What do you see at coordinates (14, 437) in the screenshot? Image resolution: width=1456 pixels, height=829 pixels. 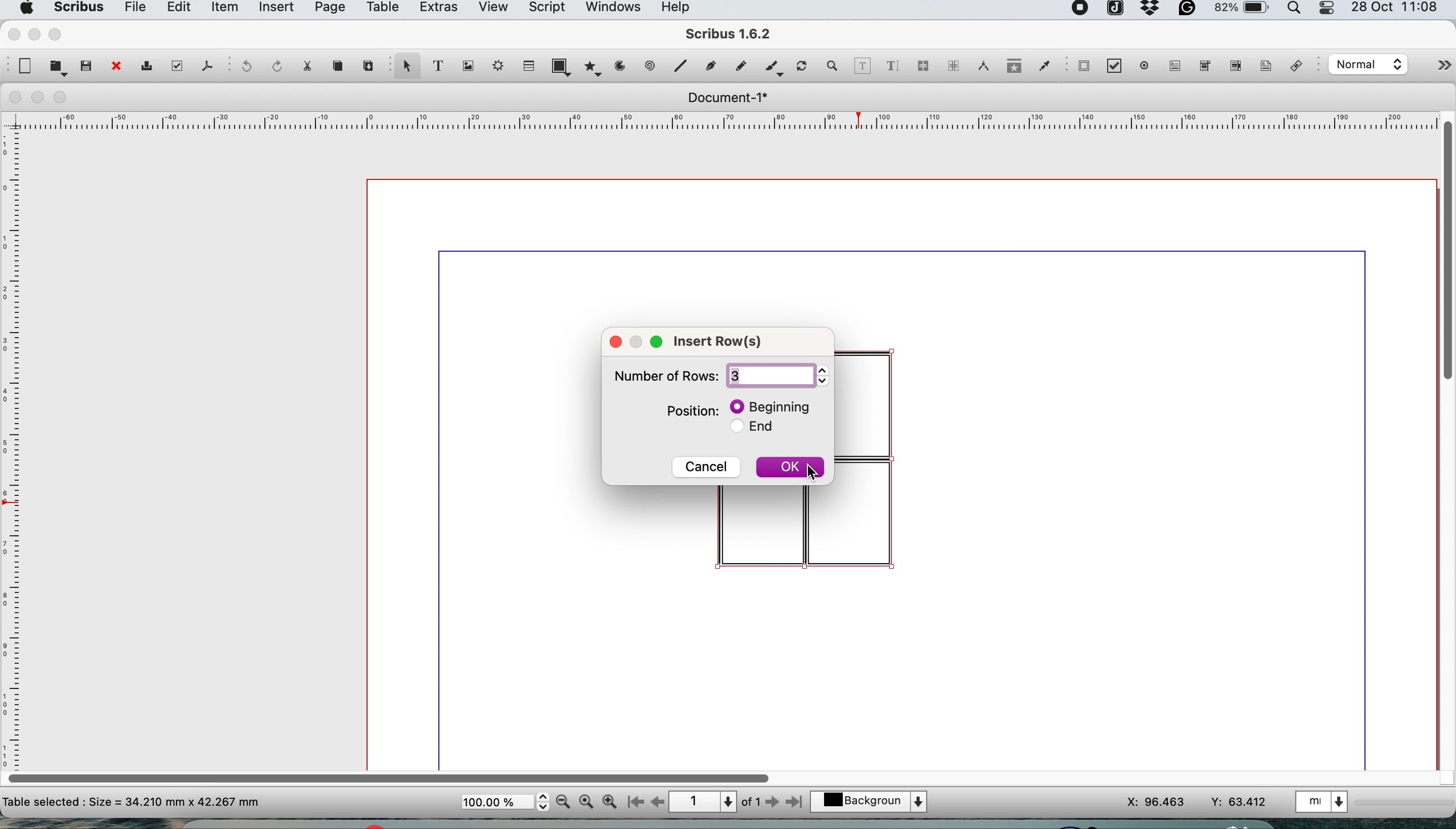 I see `vertical scale` at bounding box center [14, 437].